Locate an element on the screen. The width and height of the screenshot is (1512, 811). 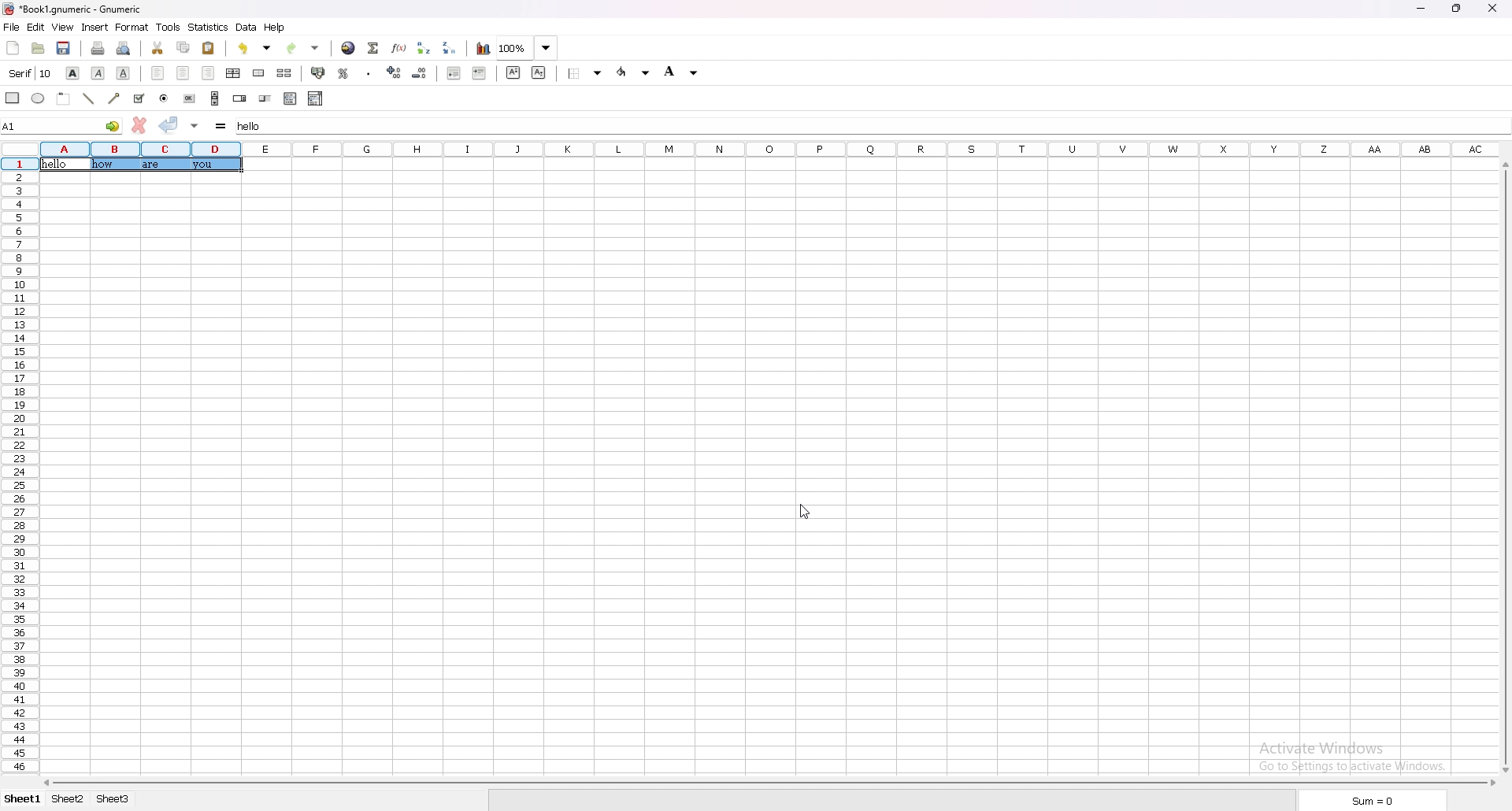
subscript is located at coordinates (539, 72).